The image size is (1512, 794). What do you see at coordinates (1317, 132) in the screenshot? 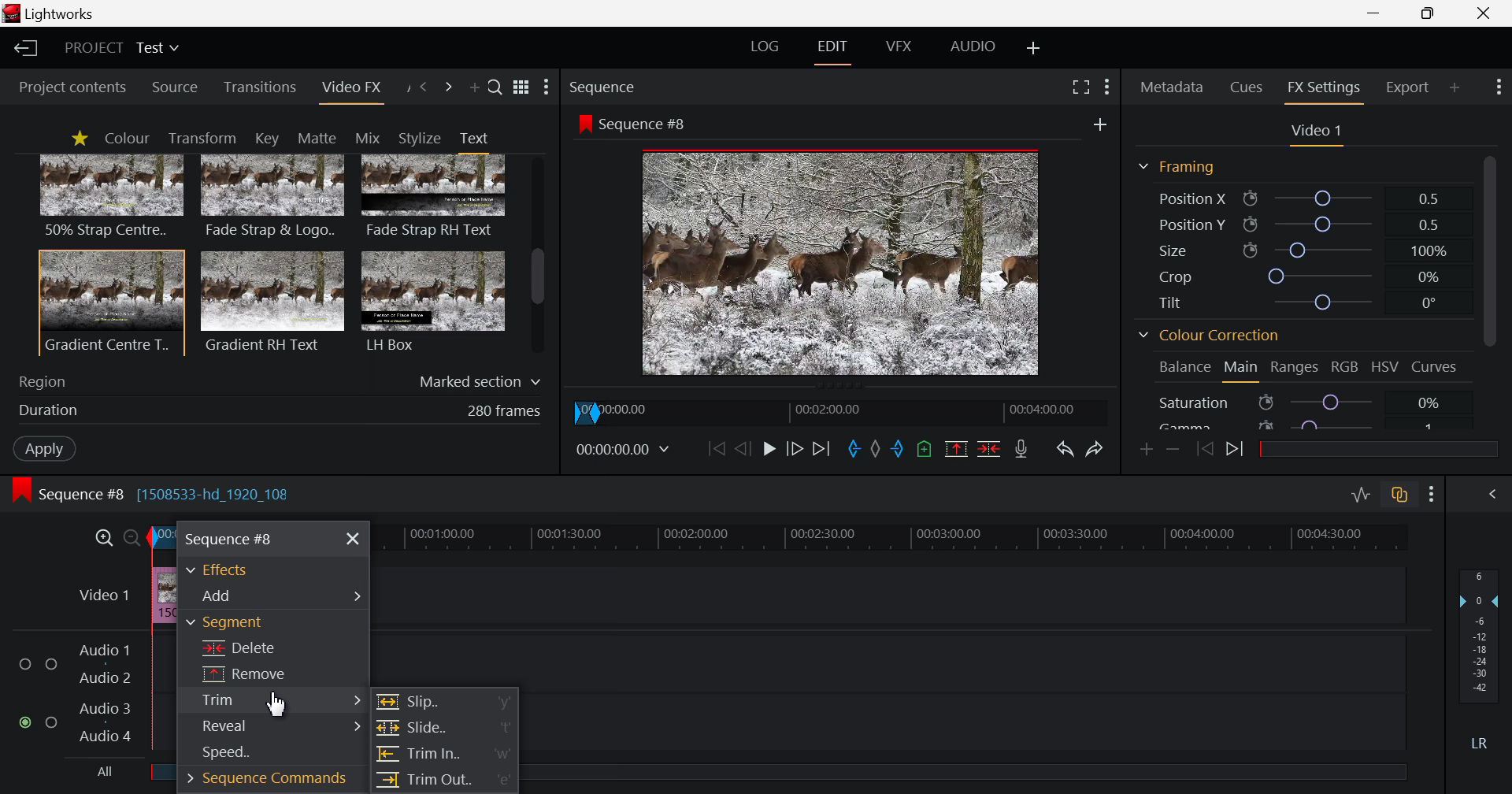
I see `Video Settings` at bounding box center [1317, 132].